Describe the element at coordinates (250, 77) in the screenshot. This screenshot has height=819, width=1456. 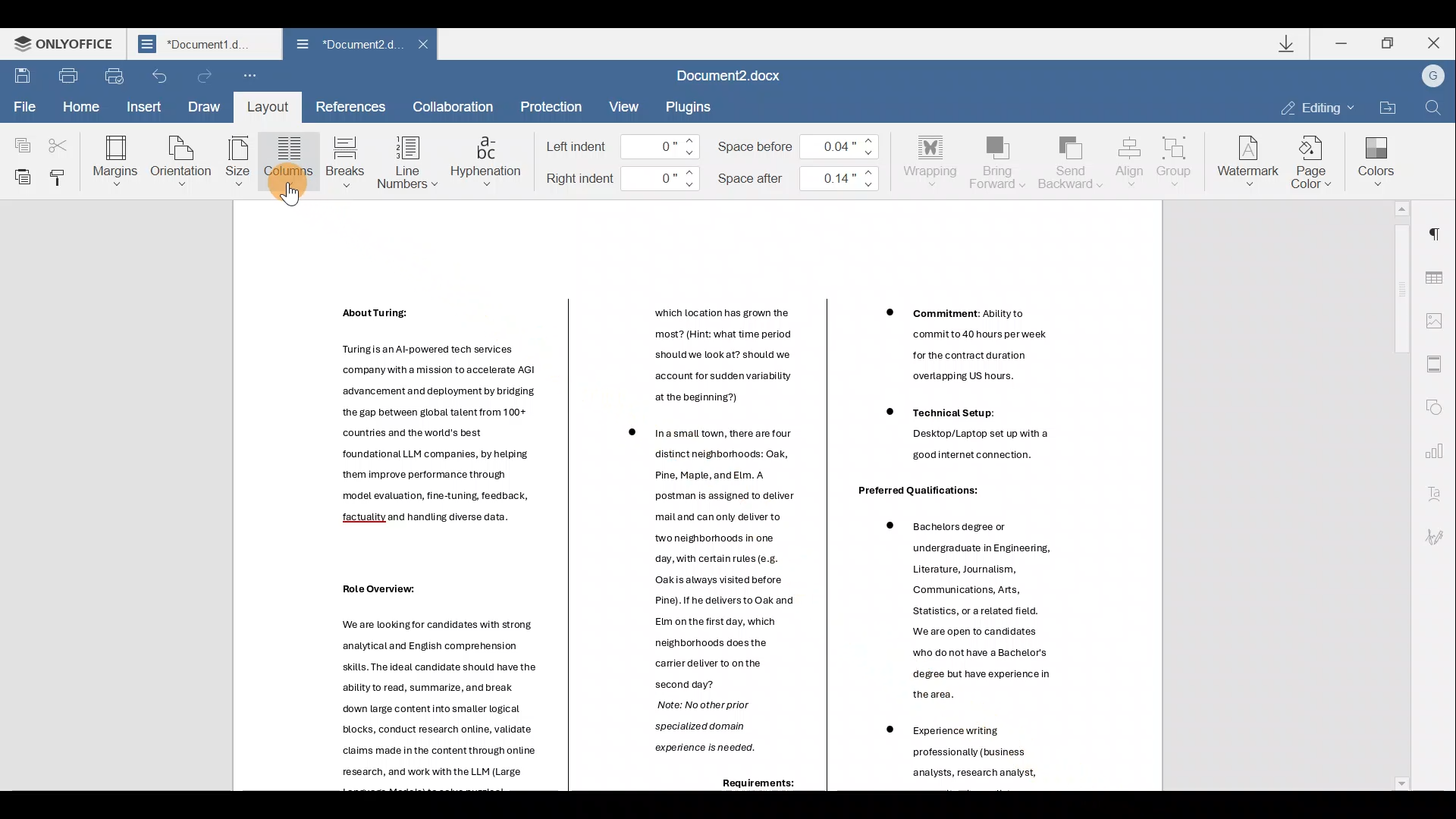
I see `Customize quick access toolbar` at that location.